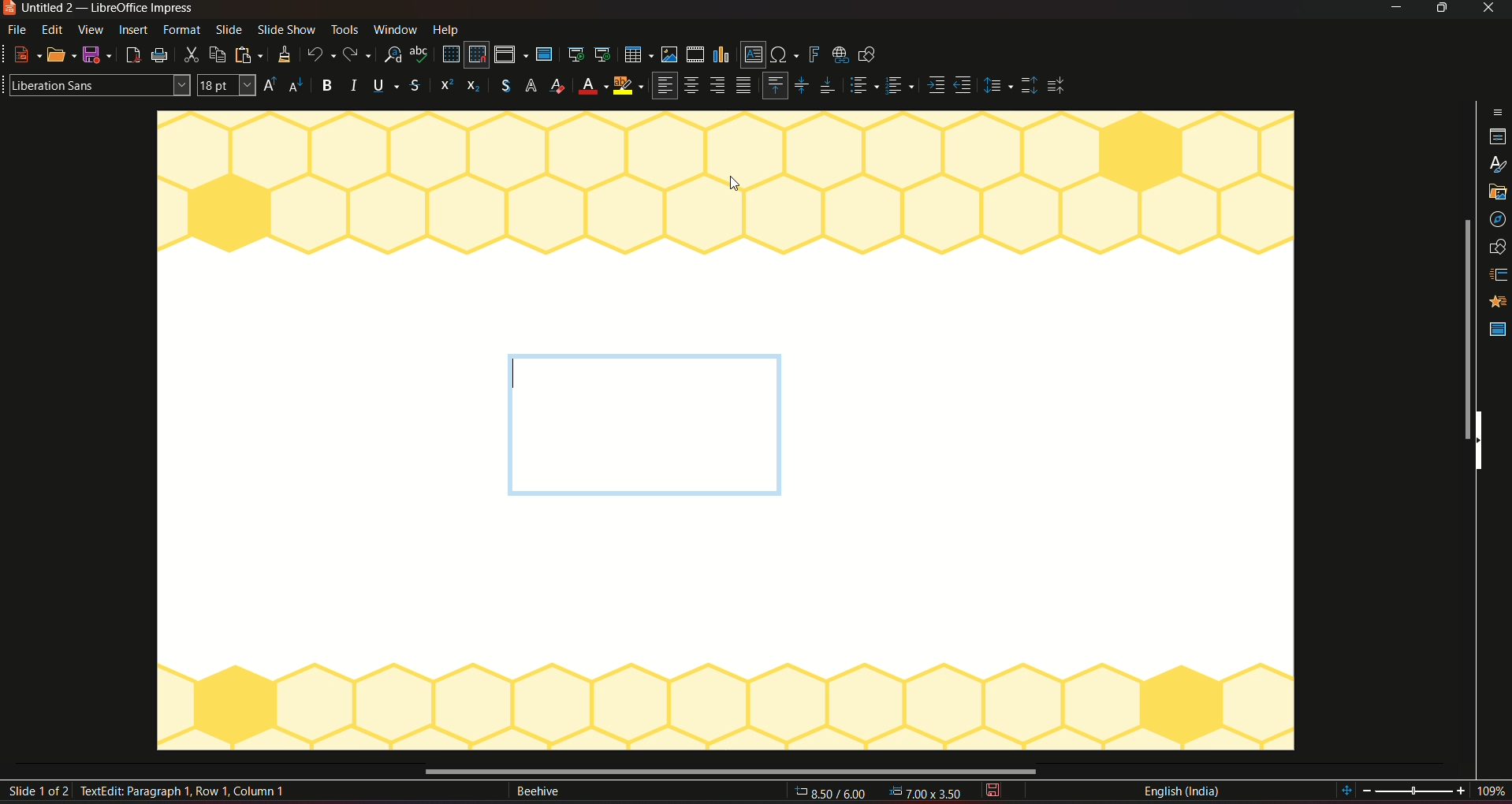  I want to click on styles, so click(1496, 134).